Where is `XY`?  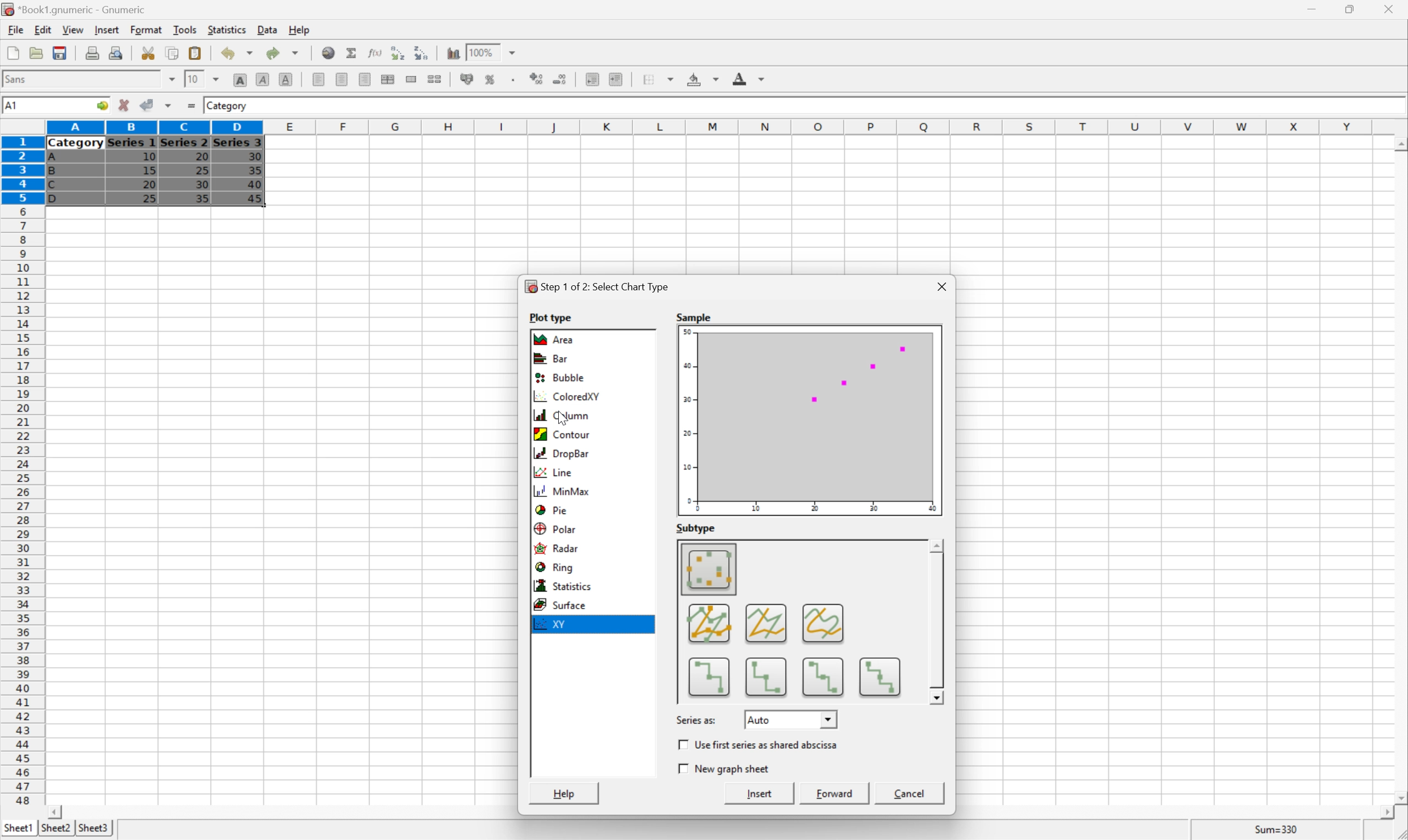
XY is located at coordinates (551, 624).